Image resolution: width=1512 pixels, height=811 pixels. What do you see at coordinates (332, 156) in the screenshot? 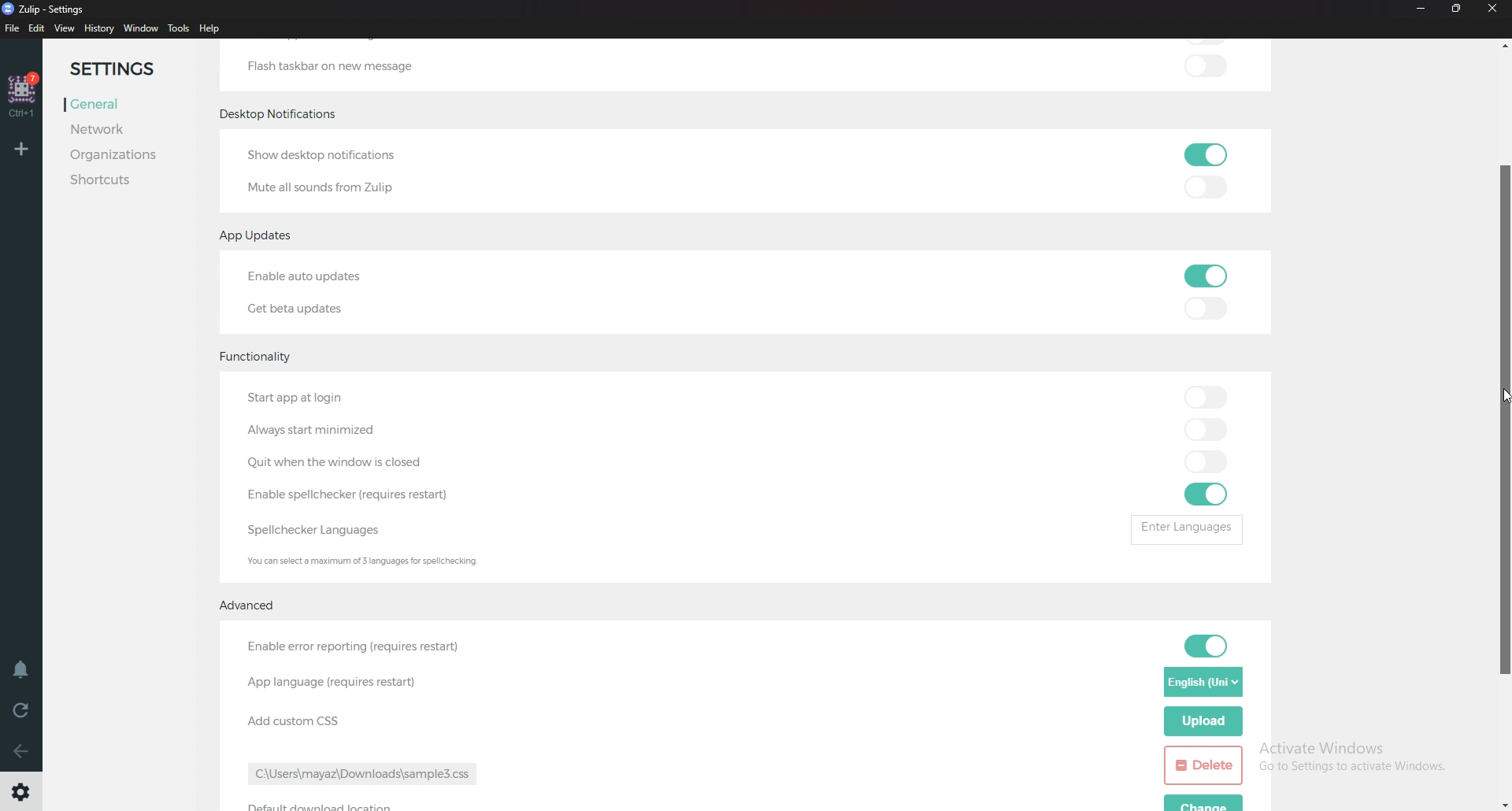
I see `Show desktop notifications` at bounding box center [332, 156].